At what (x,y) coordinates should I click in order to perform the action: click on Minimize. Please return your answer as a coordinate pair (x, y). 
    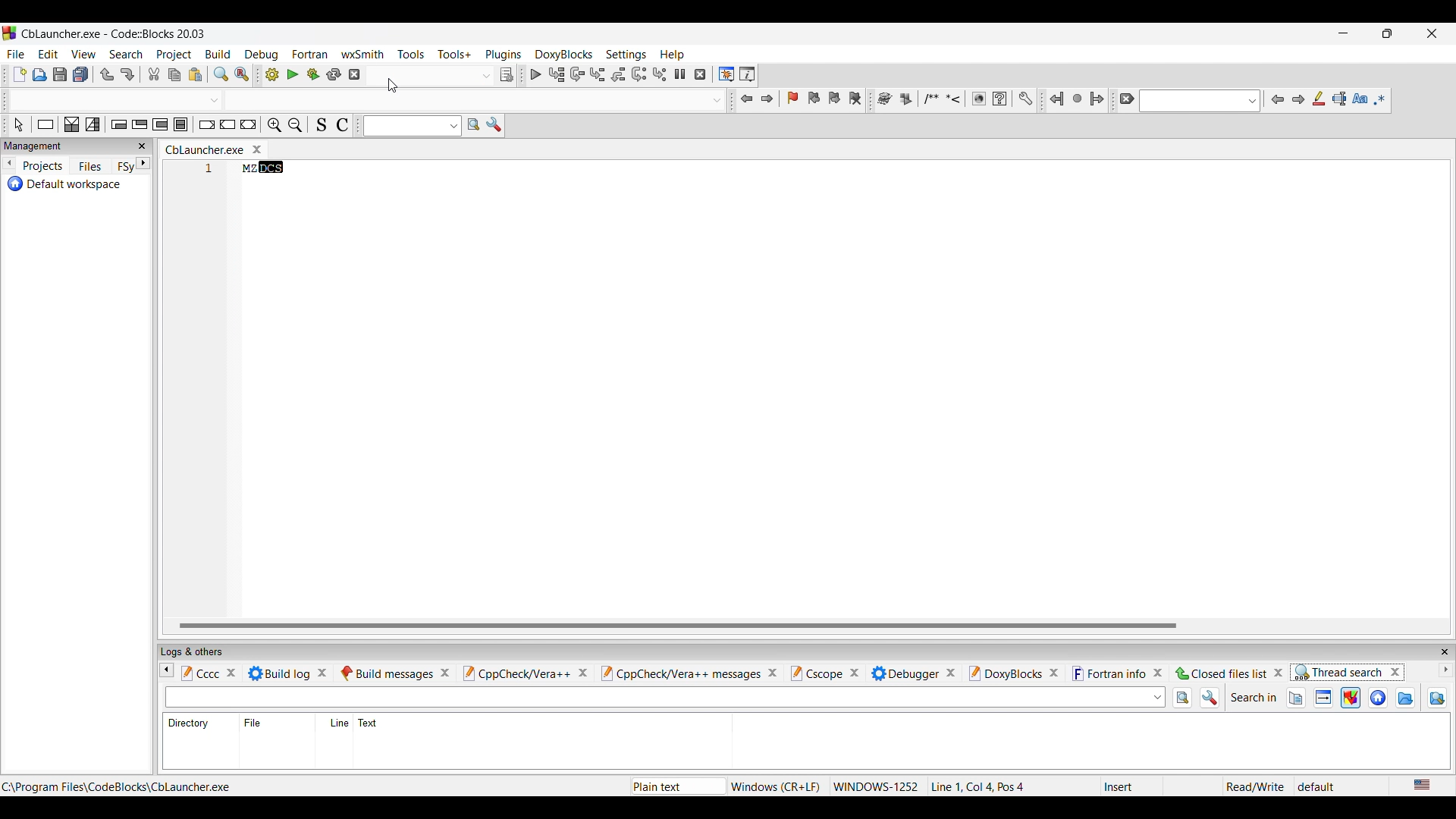
    Looking at the image, I should click on (1343, 33).